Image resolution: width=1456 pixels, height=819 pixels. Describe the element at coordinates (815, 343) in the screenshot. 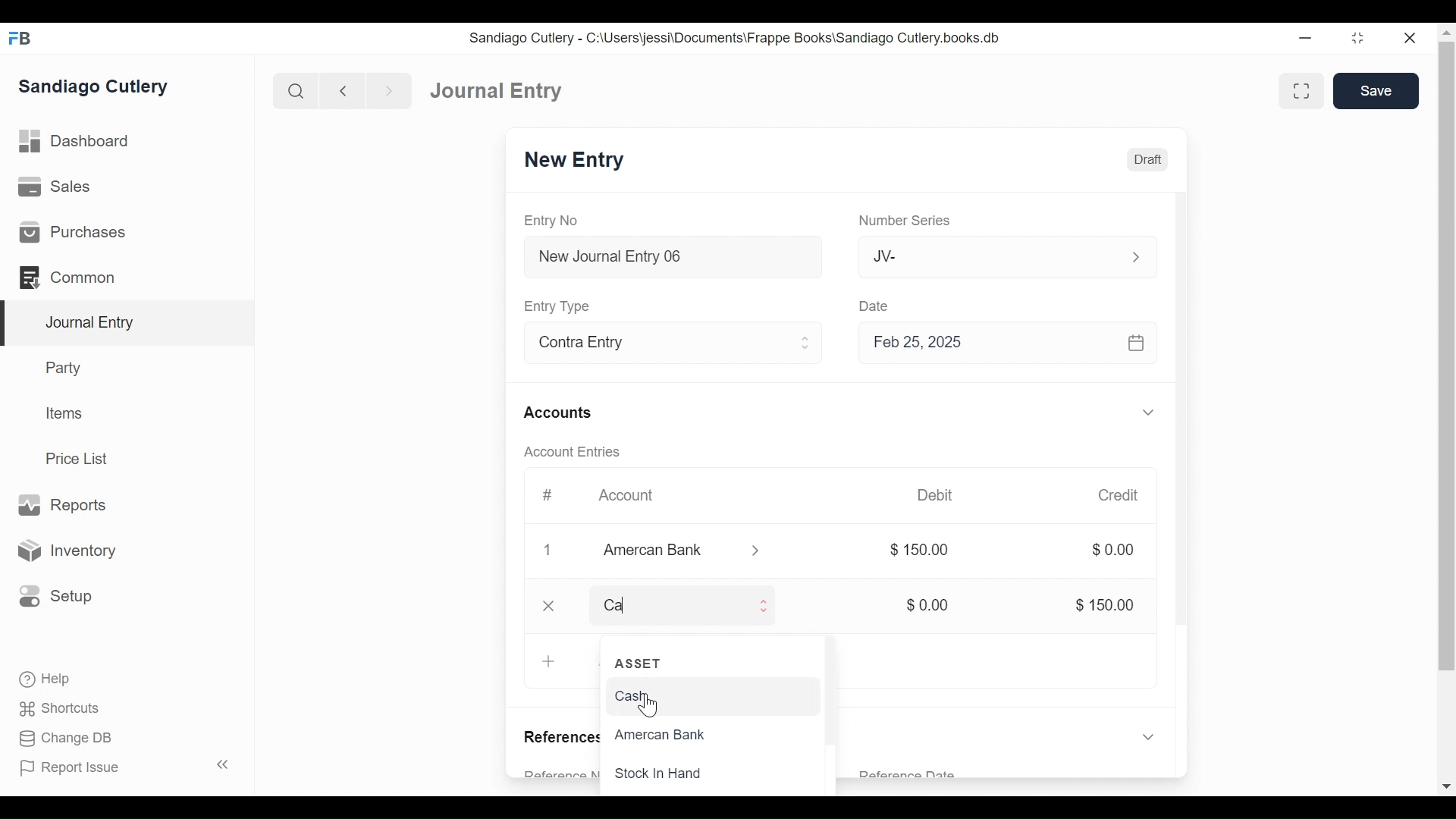

I see `Expand` at that location.